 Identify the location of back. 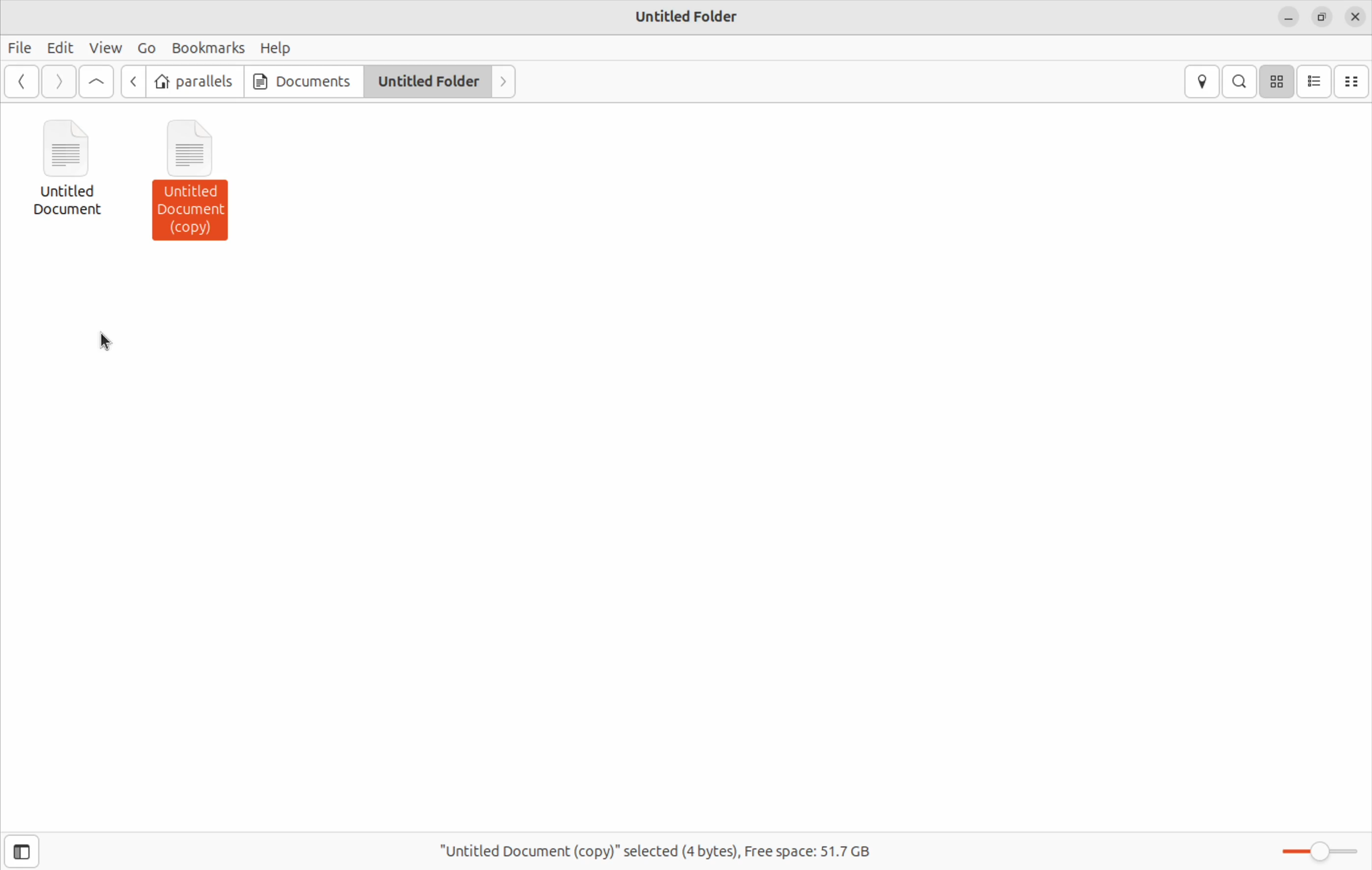
(135, 83).